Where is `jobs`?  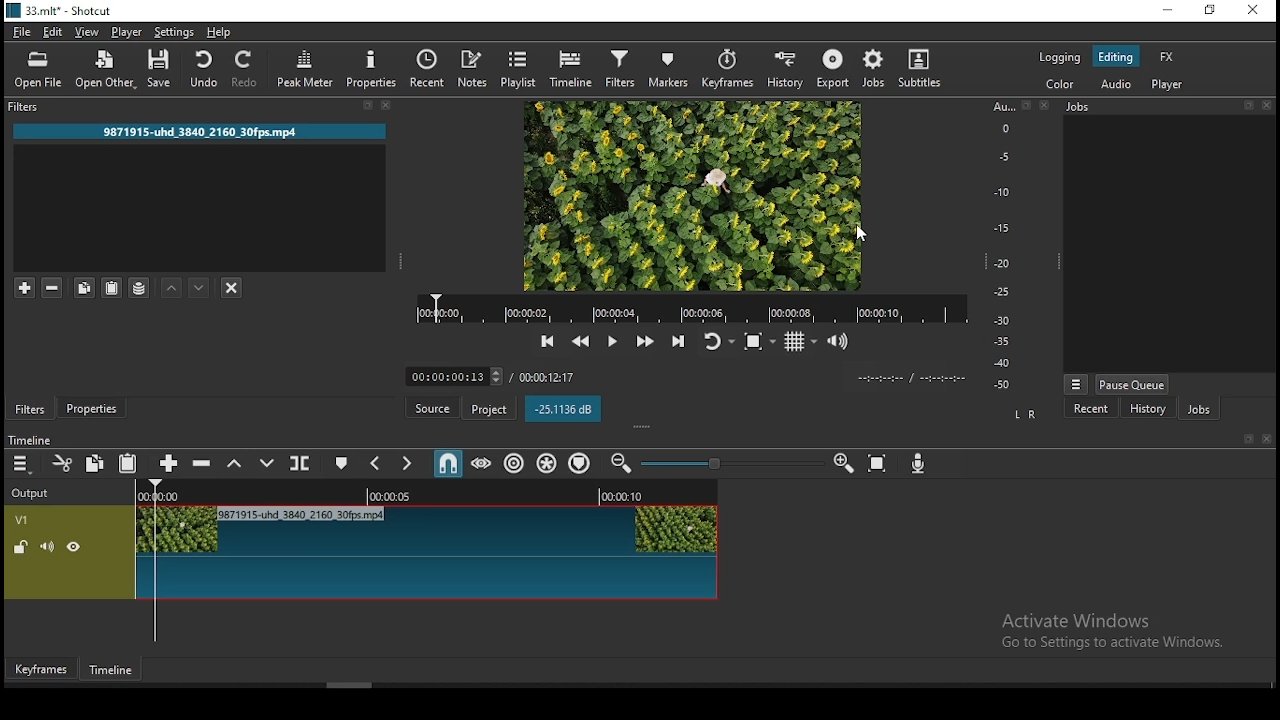
jobs is located at coordinates (1203, 409).